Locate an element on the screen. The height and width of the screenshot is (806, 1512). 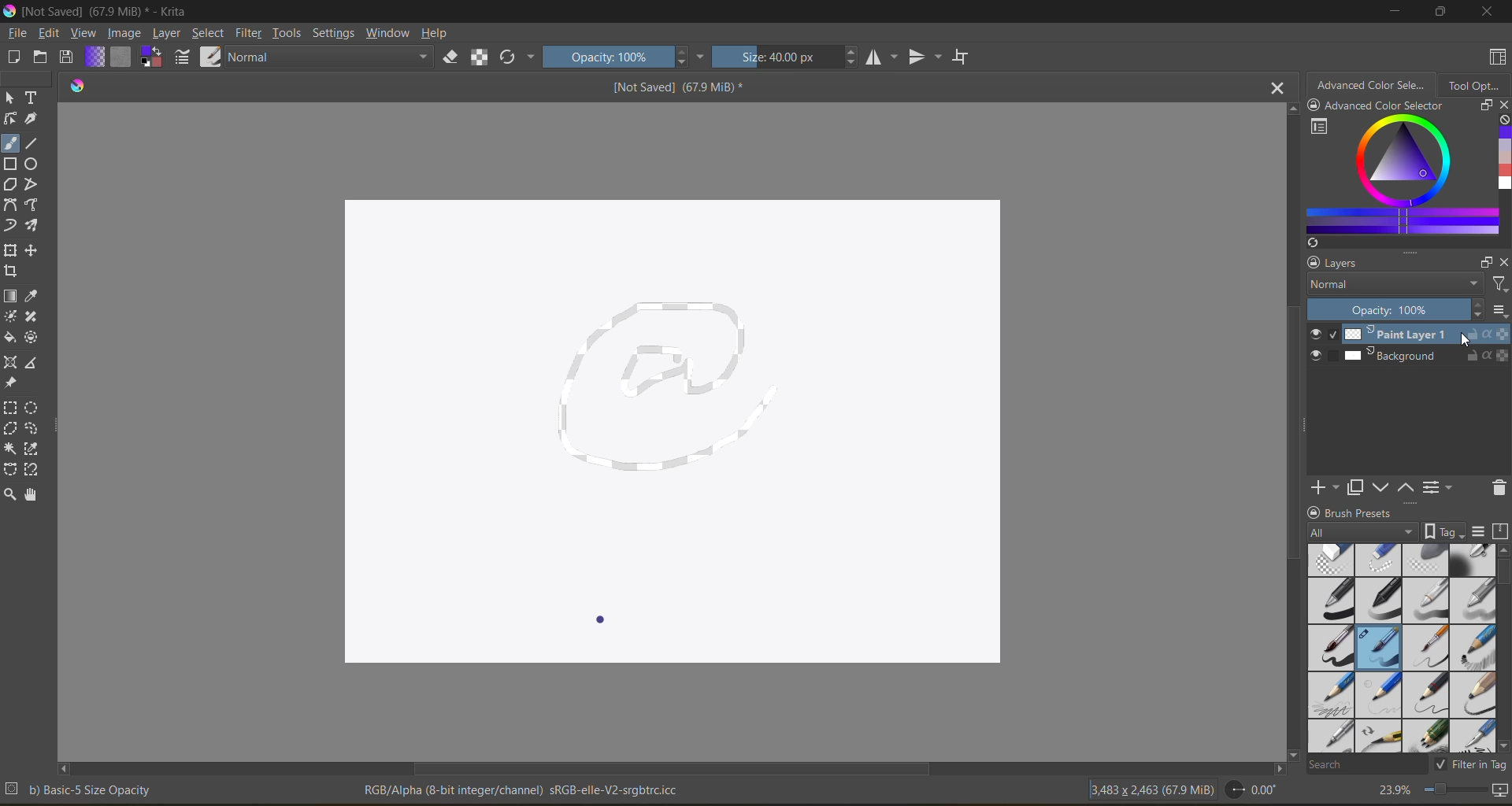
clear all color history is located at coordinates (1503, 120).